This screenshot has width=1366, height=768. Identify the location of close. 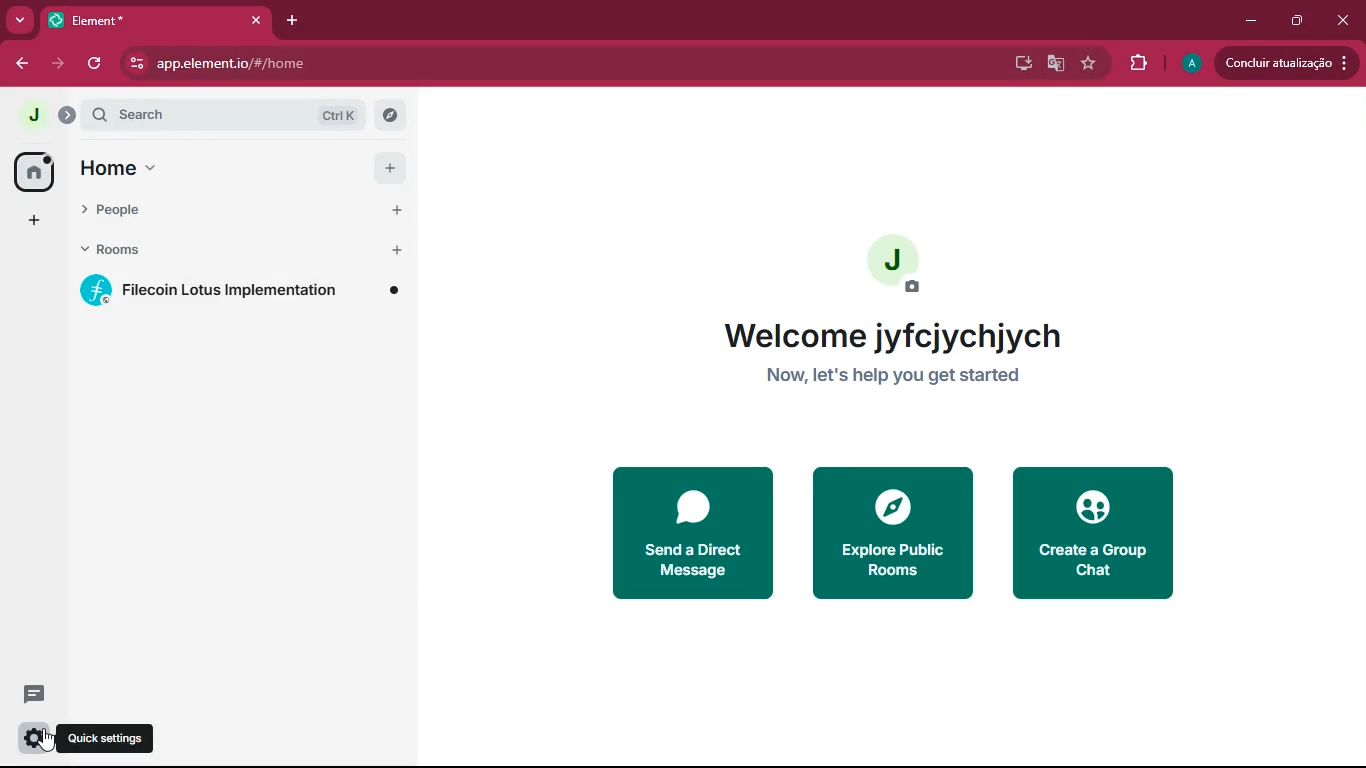
(255, 21).